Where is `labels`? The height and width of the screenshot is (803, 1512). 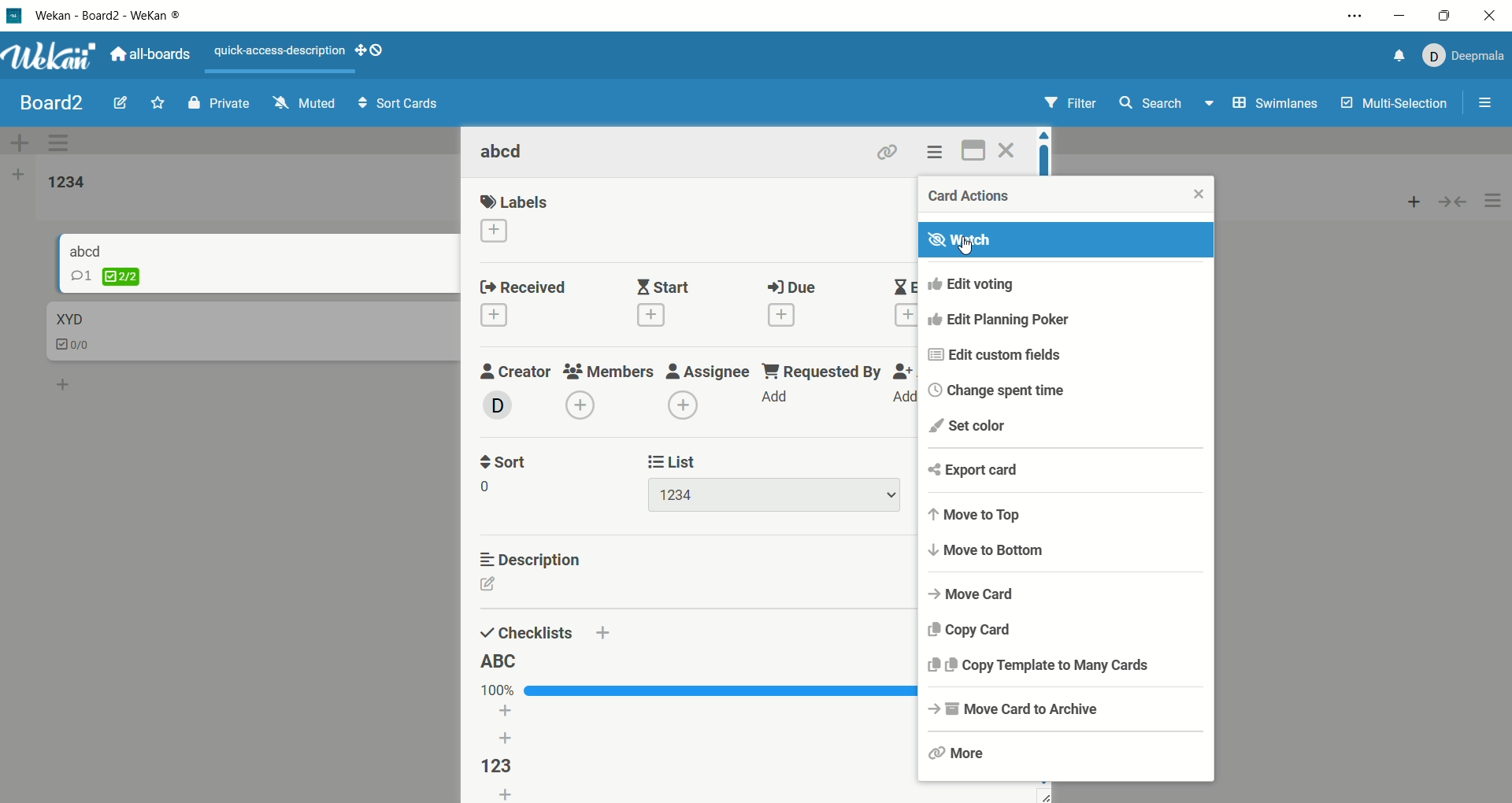 labels is located at coordinates (514, 219).